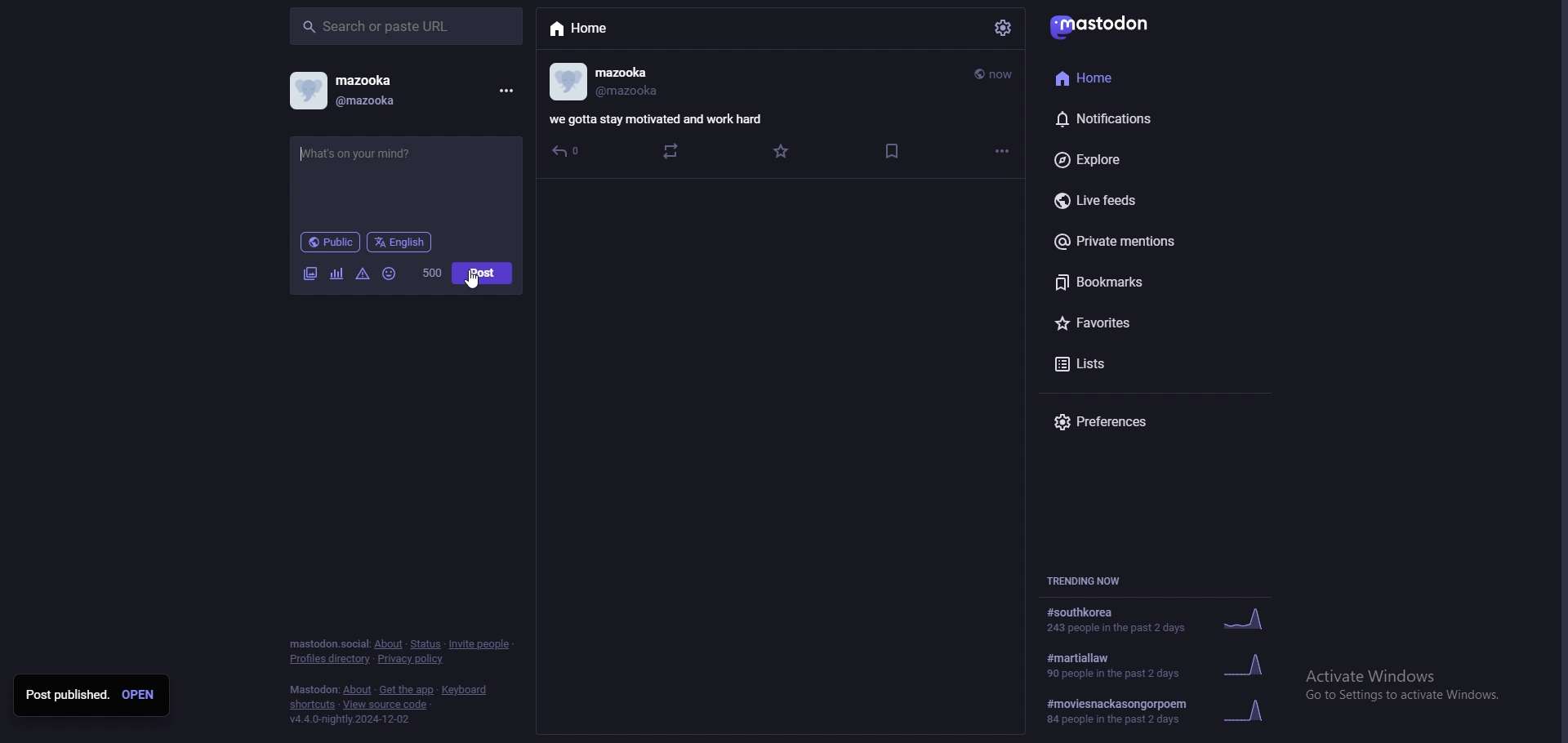 This screenshot has width=1568, height=743. I want to click on more, so click(1004, 150).